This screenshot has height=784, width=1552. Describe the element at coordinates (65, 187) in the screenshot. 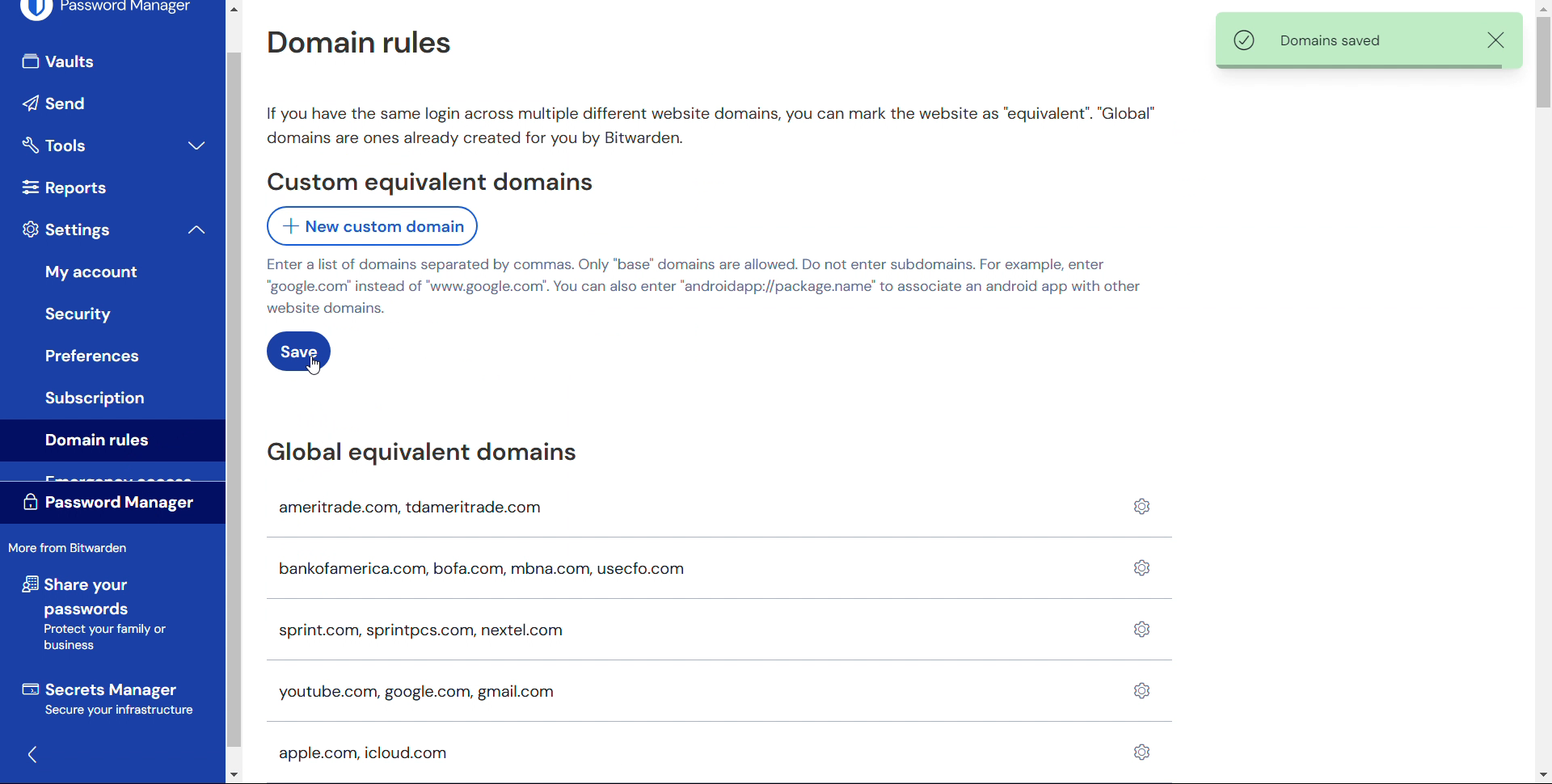

I see `reports ` at that location.